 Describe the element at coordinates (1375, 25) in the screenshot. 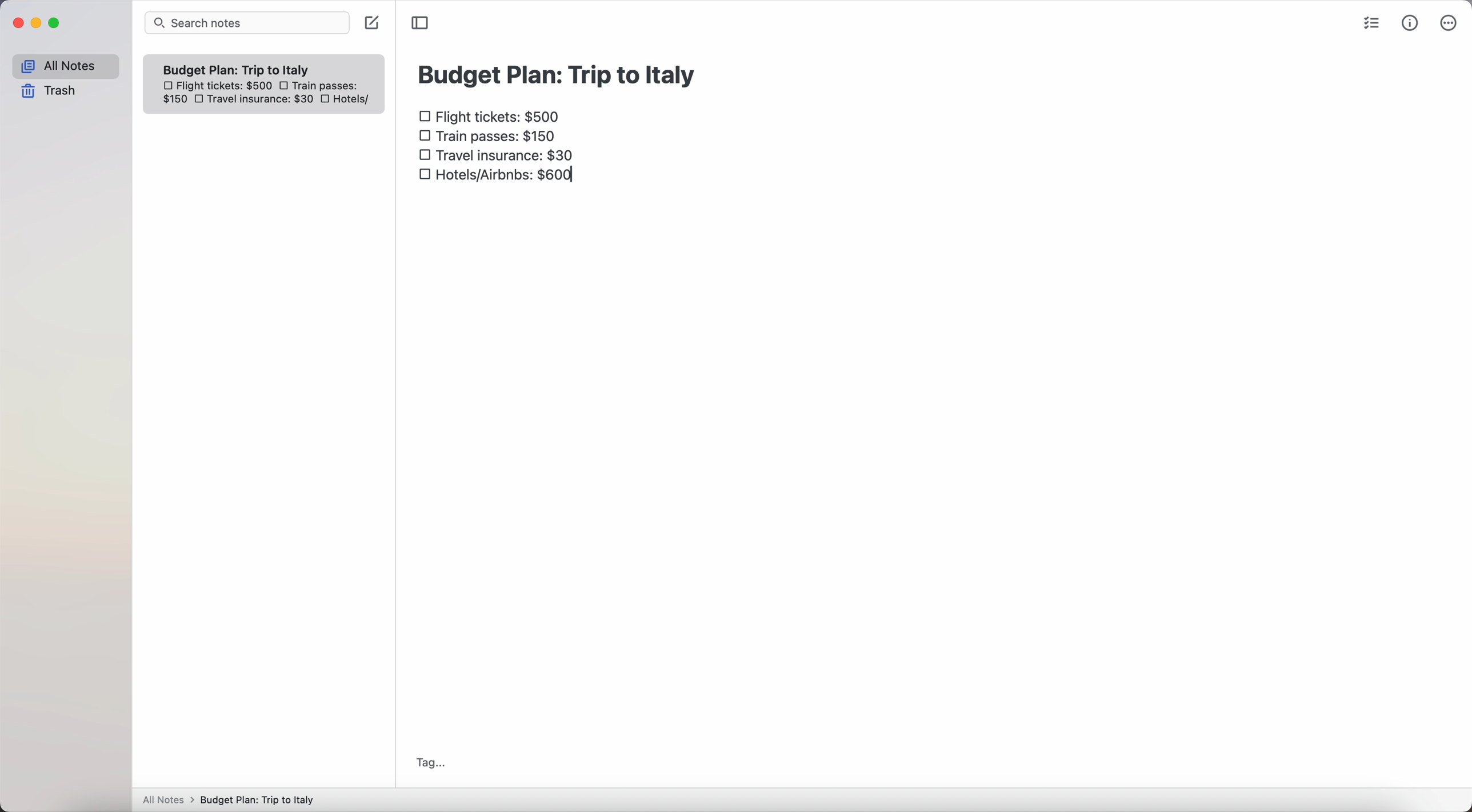

I see `check list` at that location.